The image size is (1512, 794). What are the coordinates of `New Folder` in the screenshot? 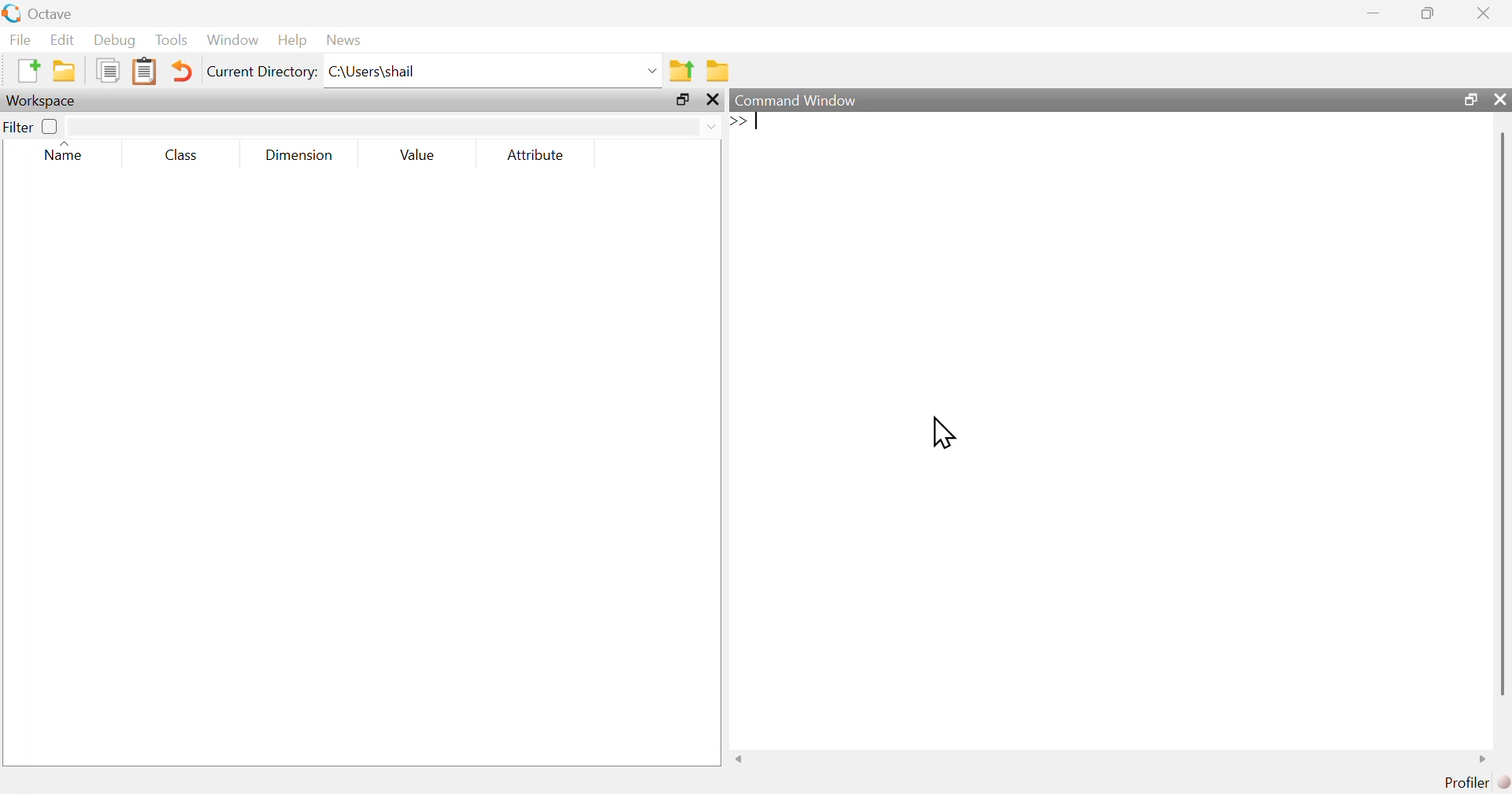 It's located at (64, 71).